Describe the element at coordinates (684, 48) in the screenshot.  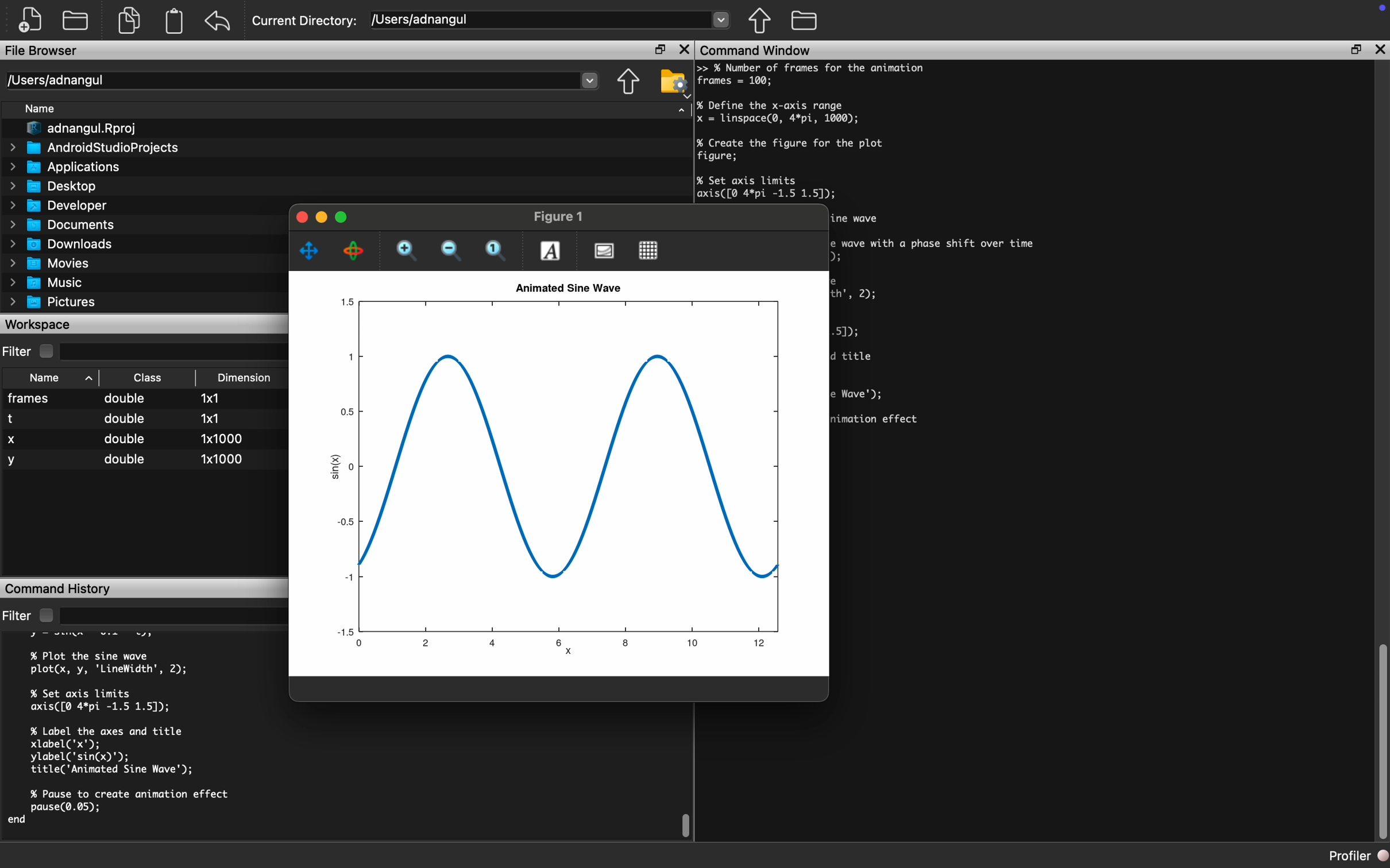
I see `Close` at that location.